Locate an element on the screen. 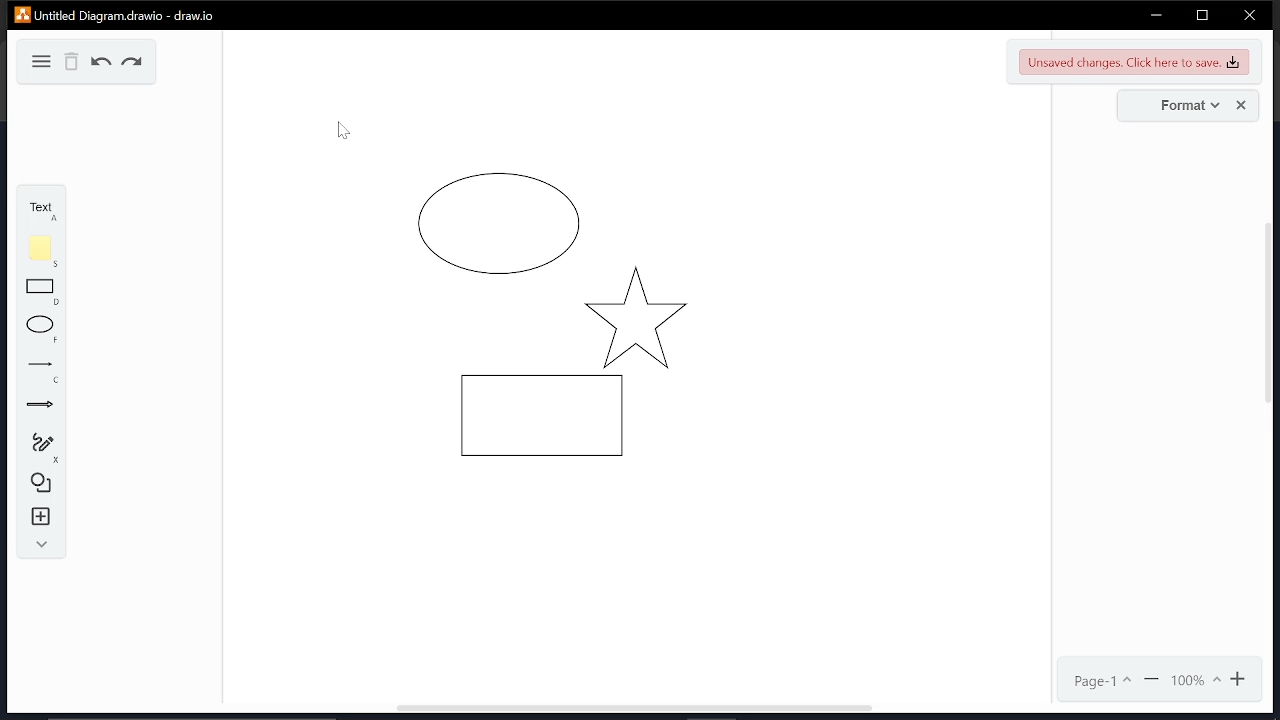 This screenshot has height=720, width=1280. lines is located at coordinates (44, 372).